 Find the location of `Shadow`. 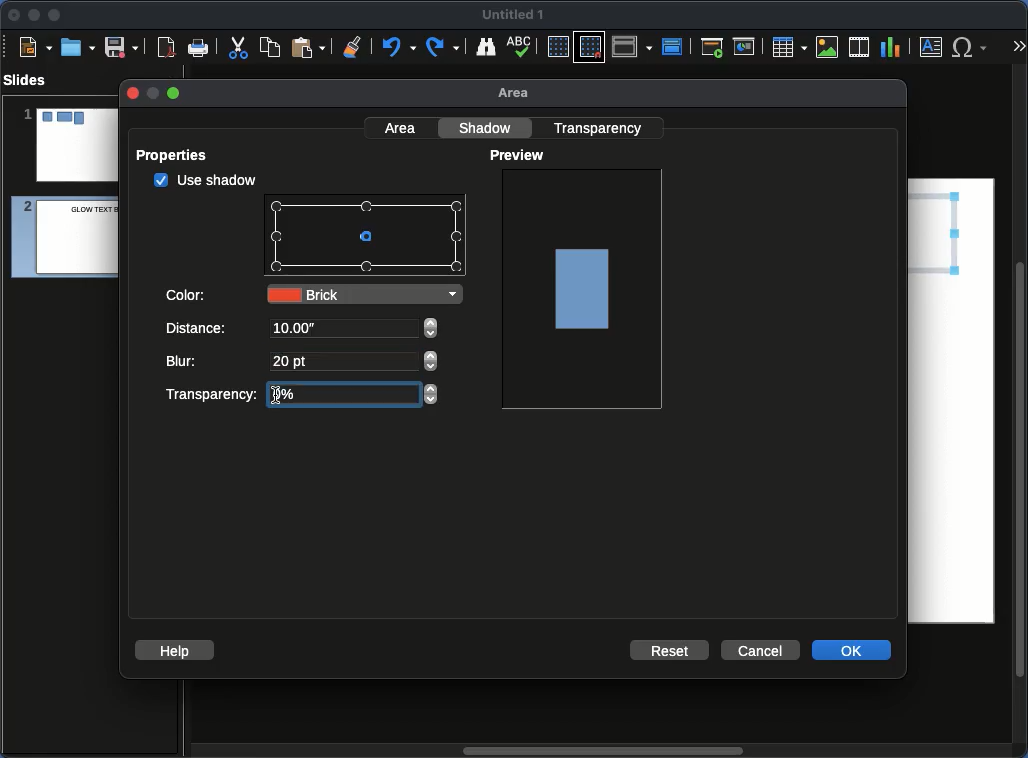

Shadow is located at coordinates (488, 127).